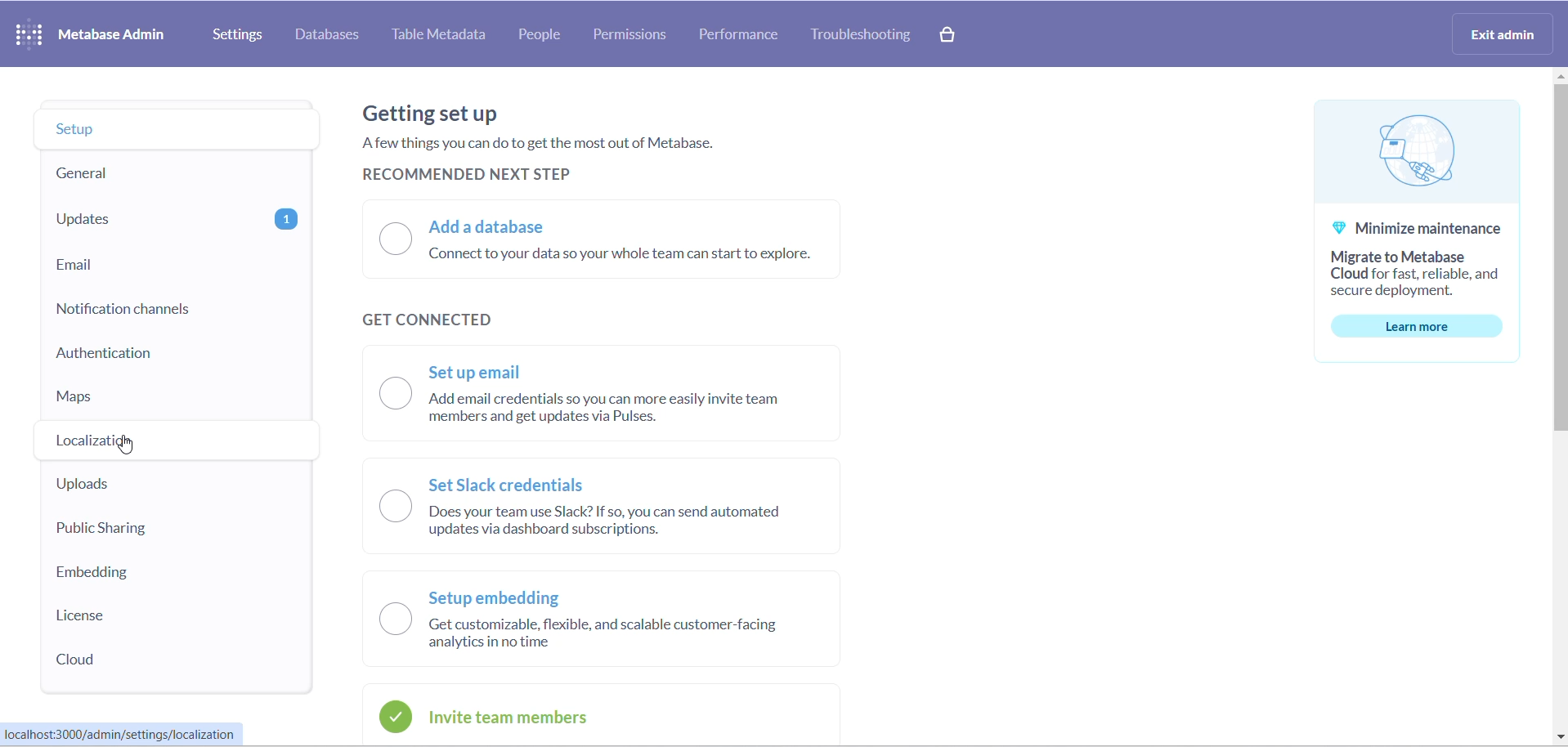 The image size is (1568, 747). Describe the element at coordinates (157, 486) in the screenshot. I see `UPLOADS` at that location.